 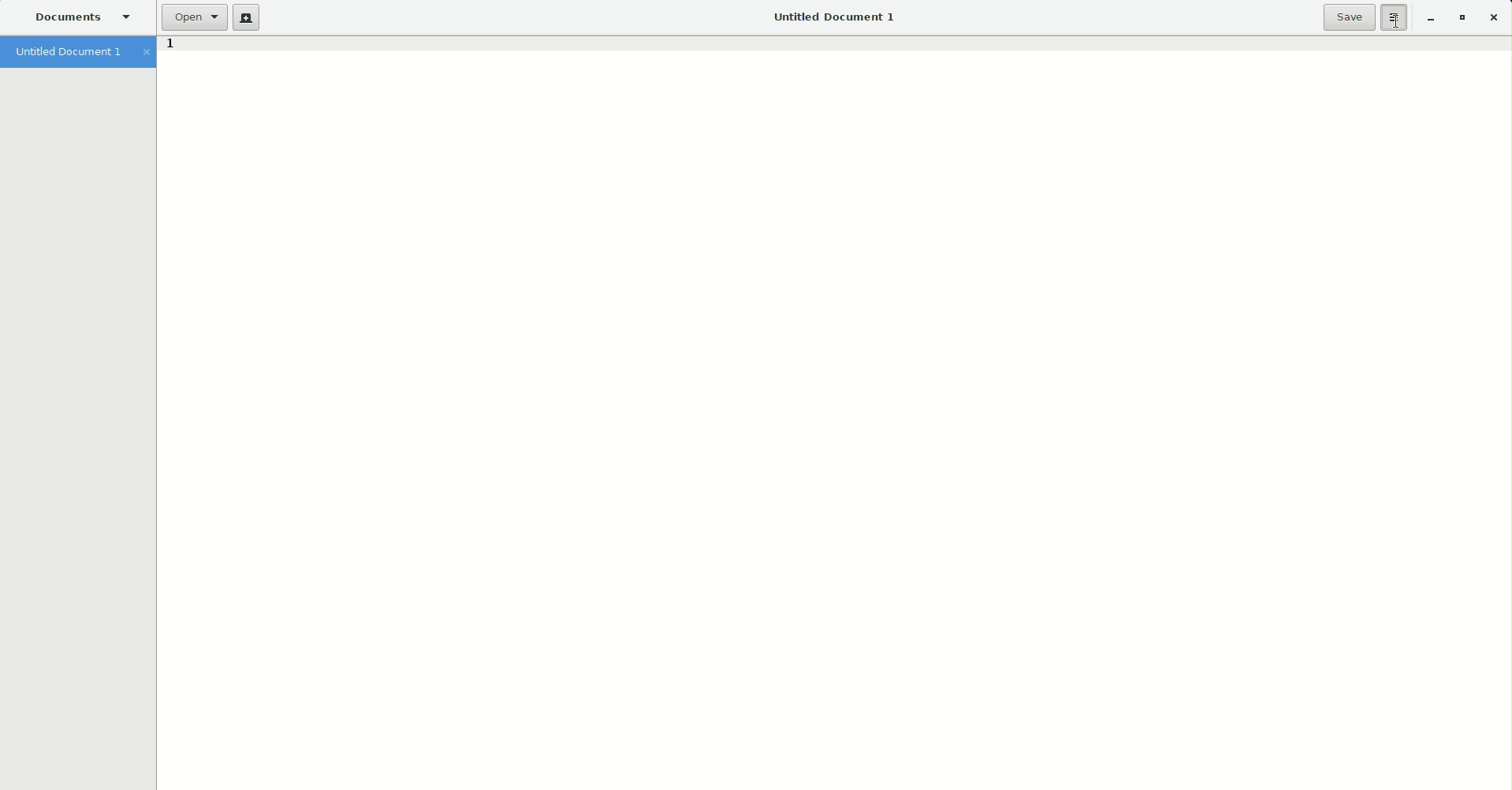 I want to click on Untitled Document 1, so click(x=832, y=17).